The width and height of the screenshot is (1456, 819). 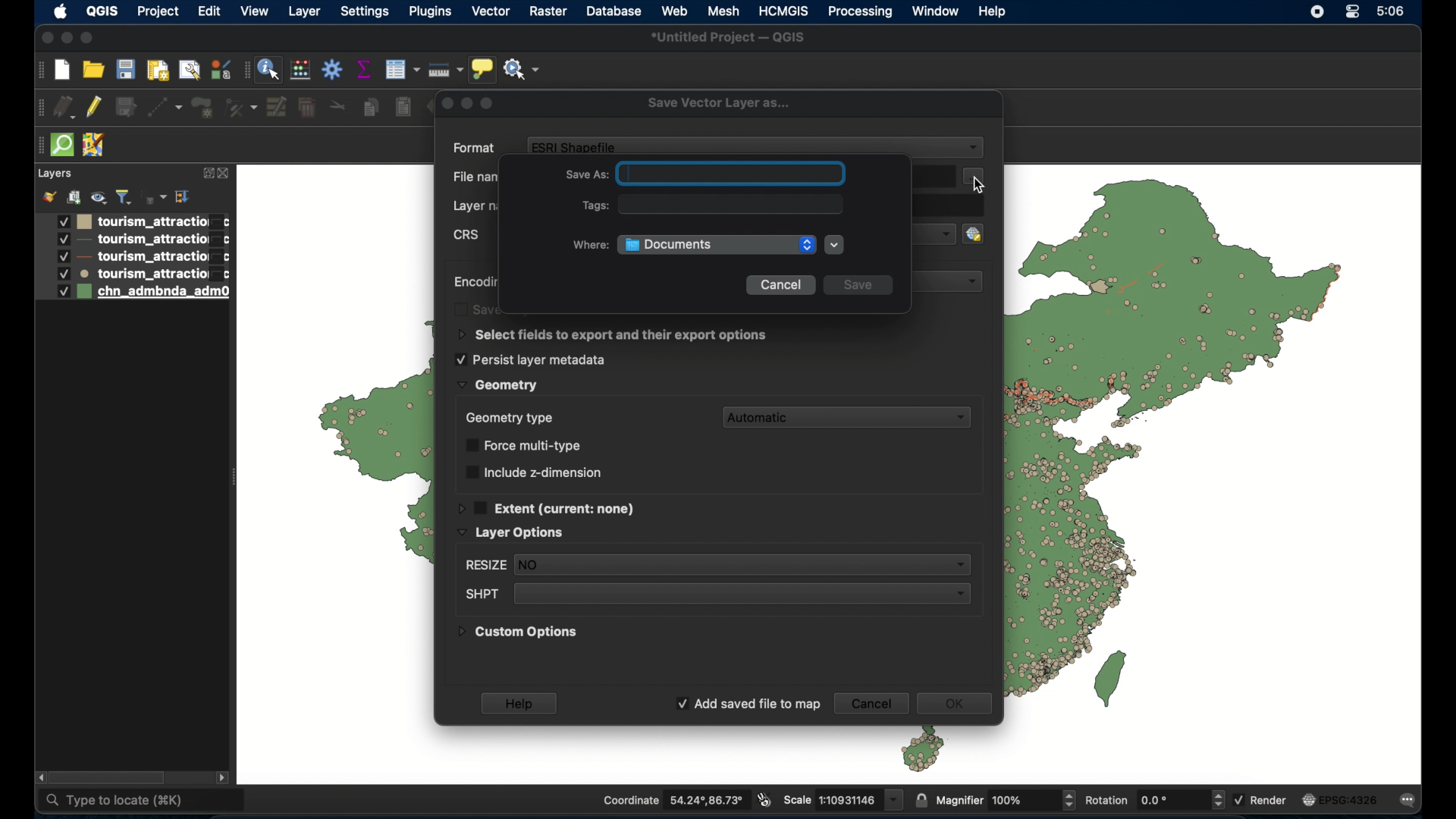 What do you see at coordinates (1153, 799) in the screenshot?
I see `rotation` at bounding box center [1153, 799].